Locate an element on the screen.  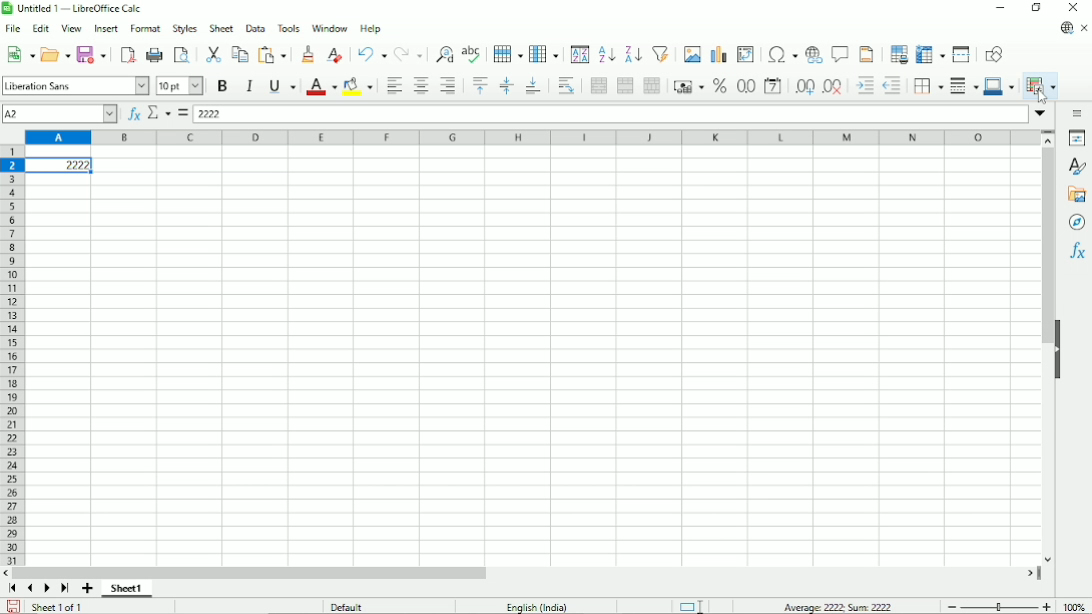
Insert chart is located at coordinates (717, 53).